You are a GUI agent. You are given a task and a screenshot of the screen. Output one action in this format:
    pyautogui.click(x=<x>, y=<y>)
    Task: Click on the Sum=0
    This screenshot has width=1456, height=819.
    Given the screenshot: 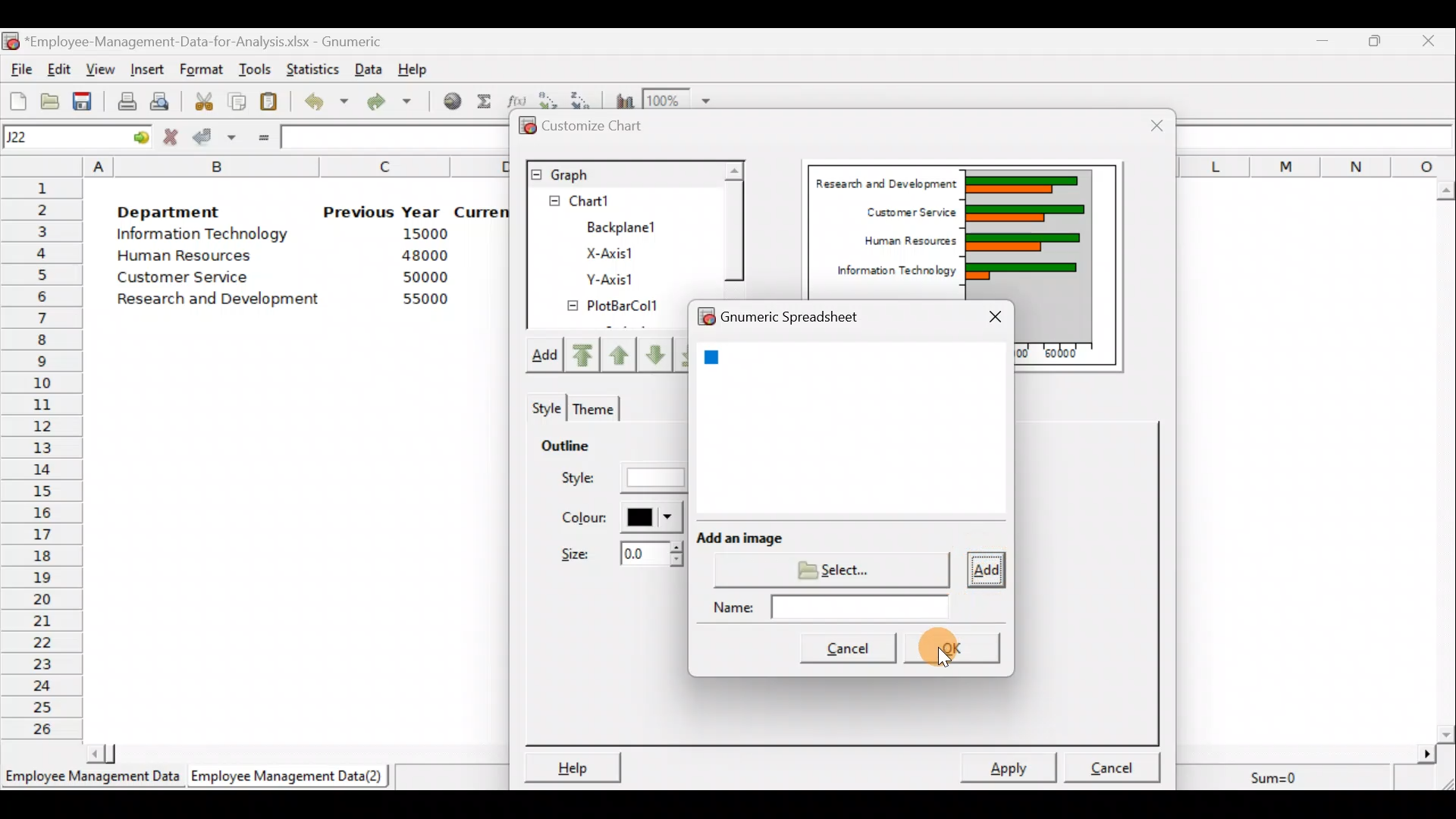 What is the action you would take?
    pyautogui.click(x=1279, y=774)
    